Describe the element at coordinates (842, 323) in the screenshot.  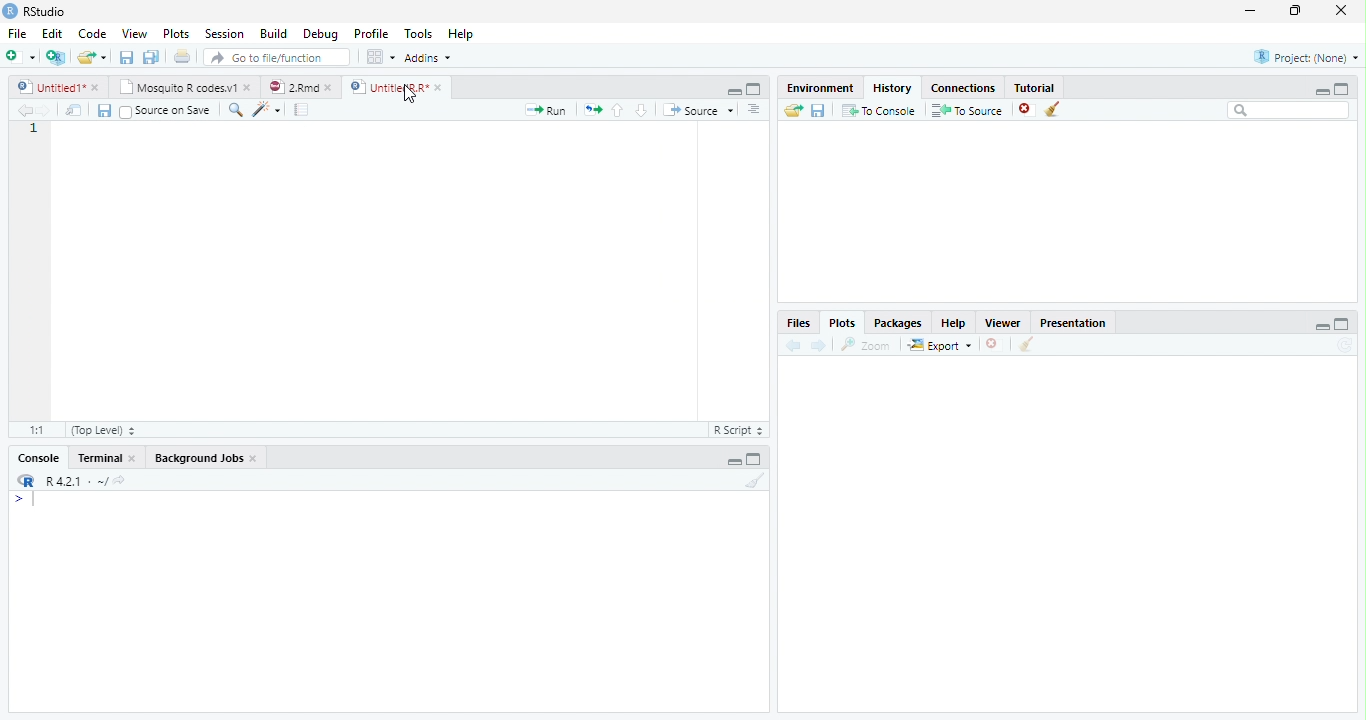
I see `Plots` at that location.